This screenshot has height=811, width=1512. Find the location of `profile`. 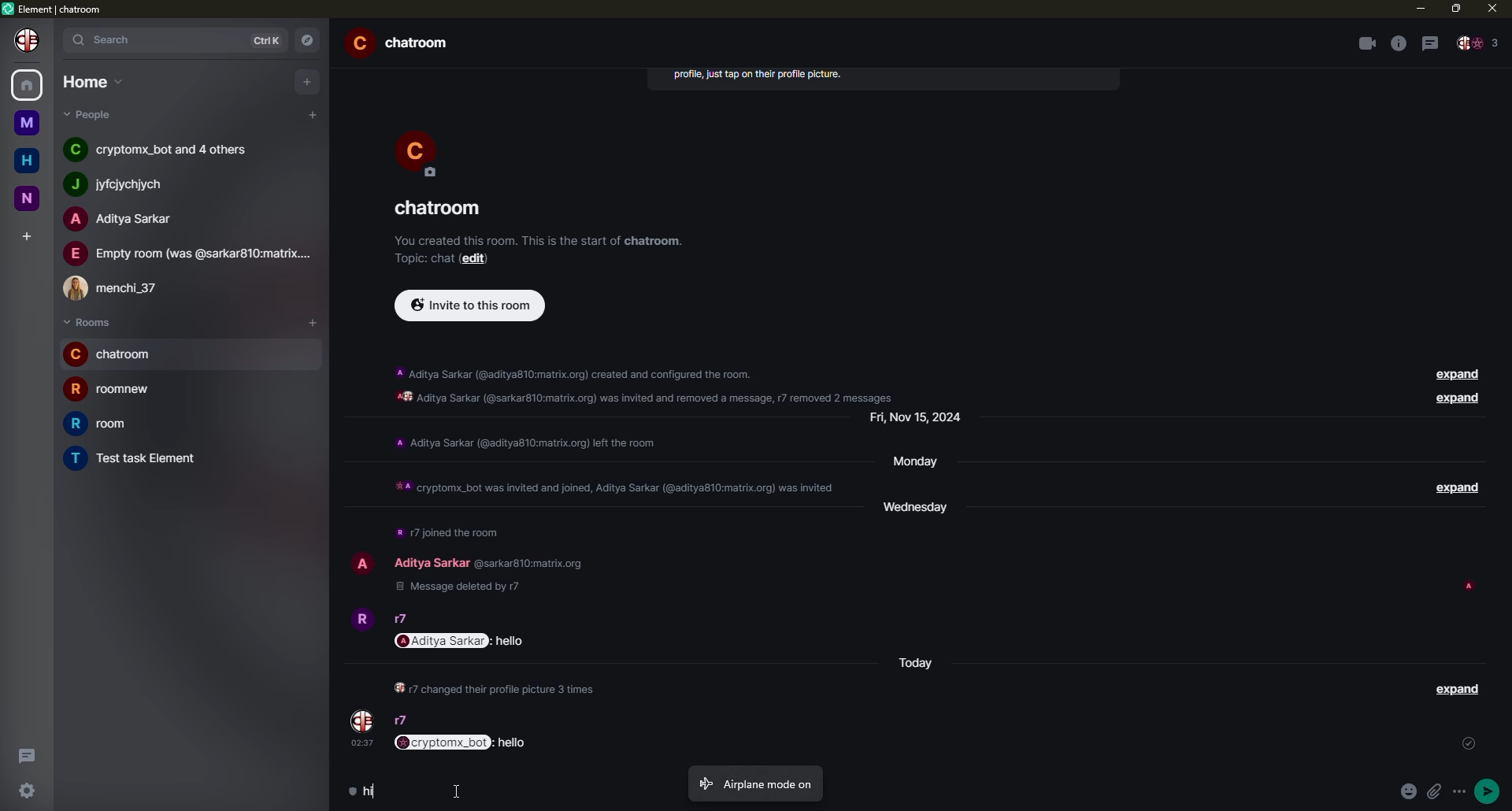

profile is located at coordinates (360, 562).